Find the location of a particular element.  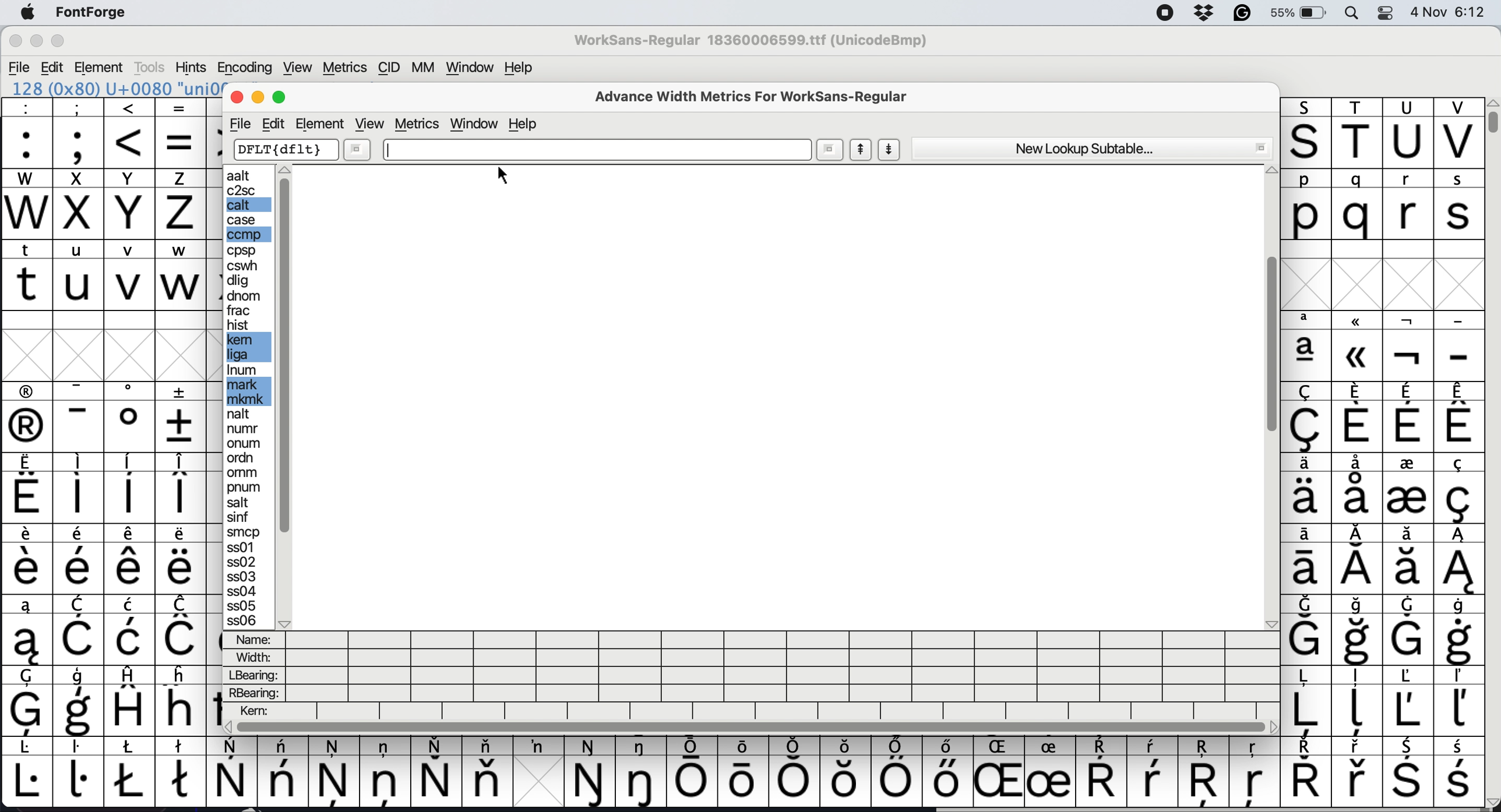

uppercase letters is located at coordinates (1376, 140).